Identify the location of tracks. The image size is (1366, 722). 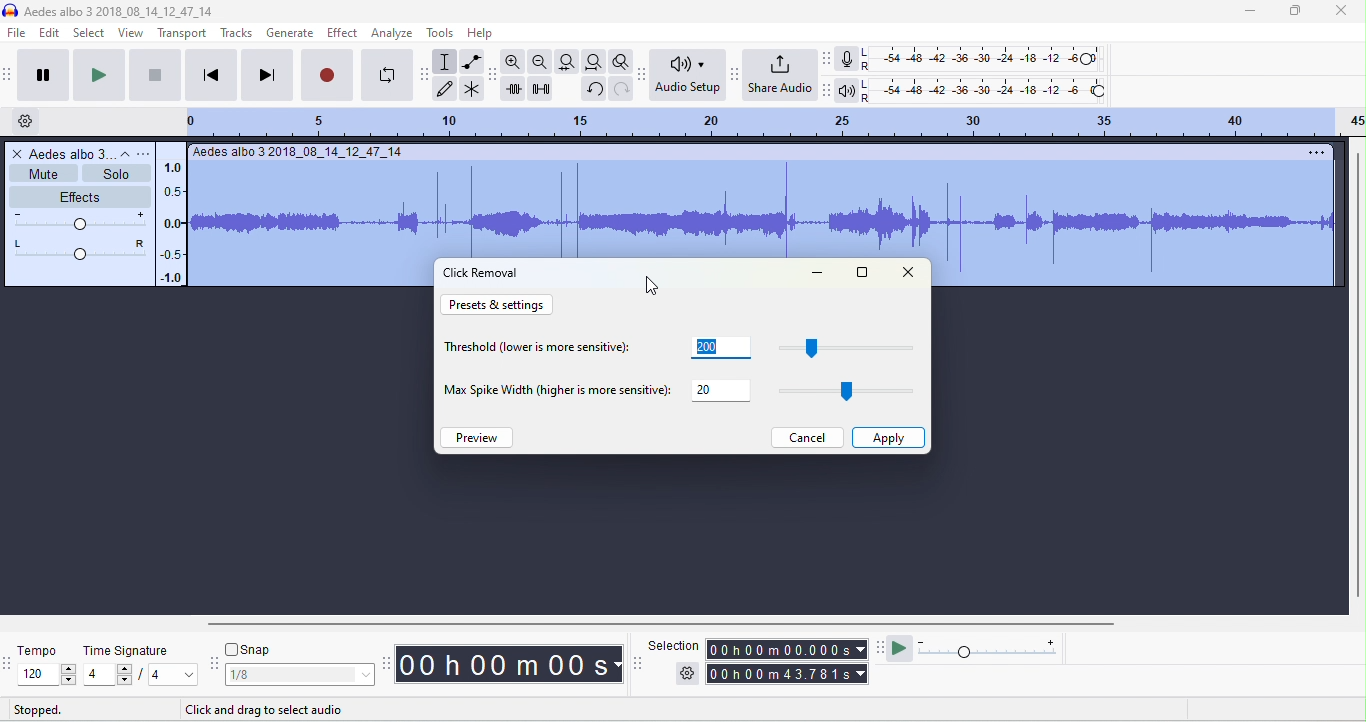
(236, 34).